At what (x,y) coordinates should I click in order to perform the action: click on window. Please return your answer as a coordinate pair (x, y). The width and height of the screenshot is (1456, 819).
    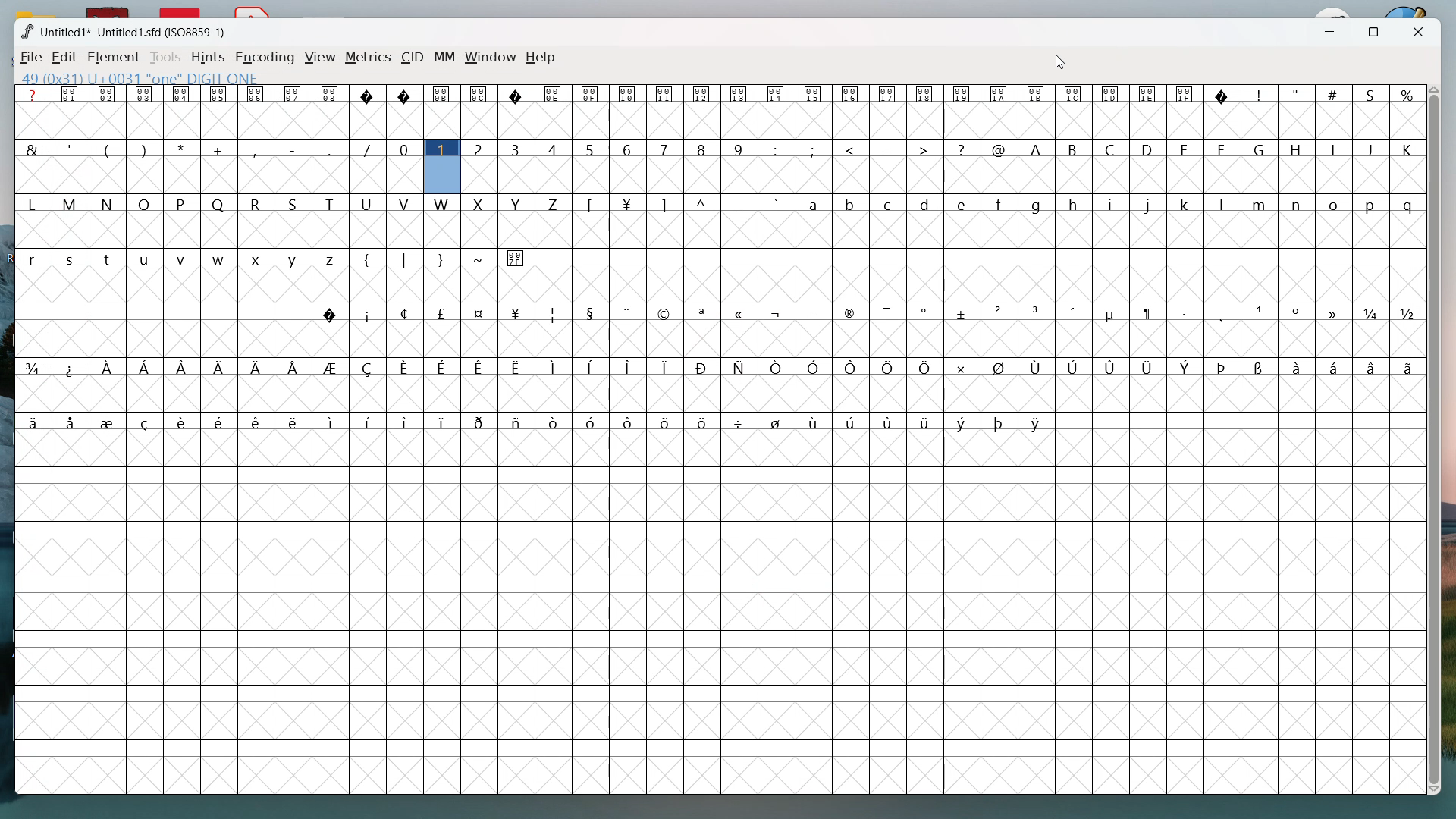
    Looking at the image, I should click on (491, 58).